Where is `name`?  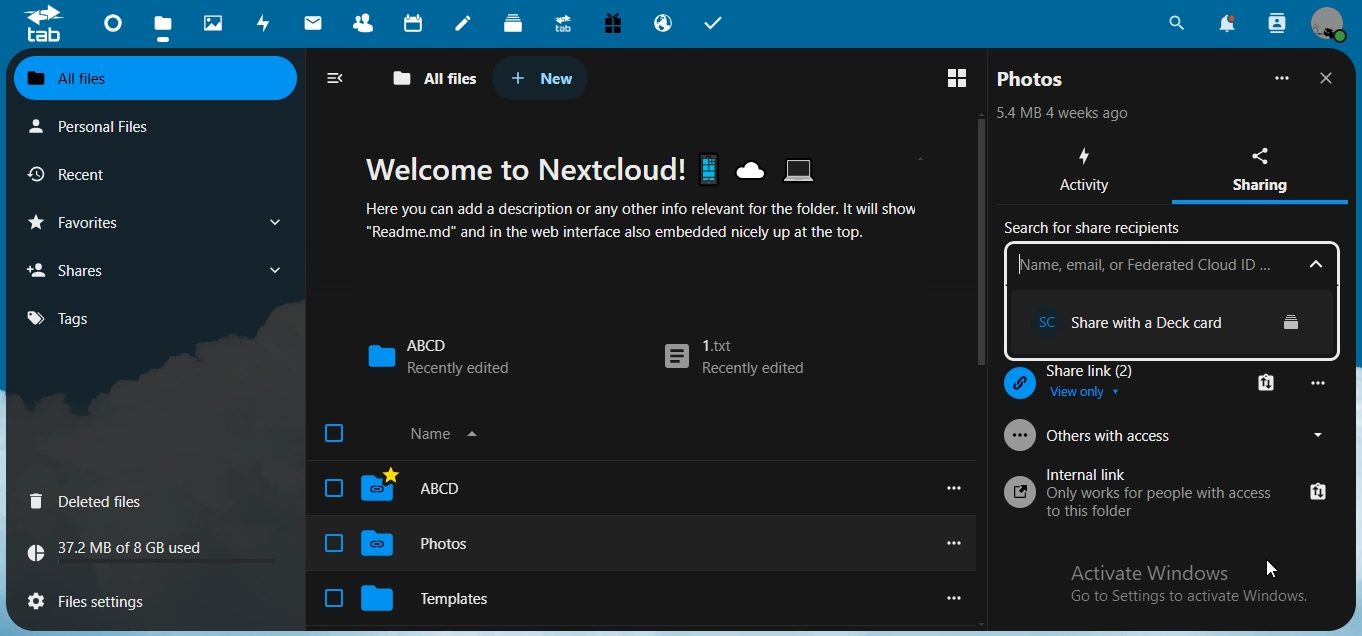 name is located at coordinates (410, 437).